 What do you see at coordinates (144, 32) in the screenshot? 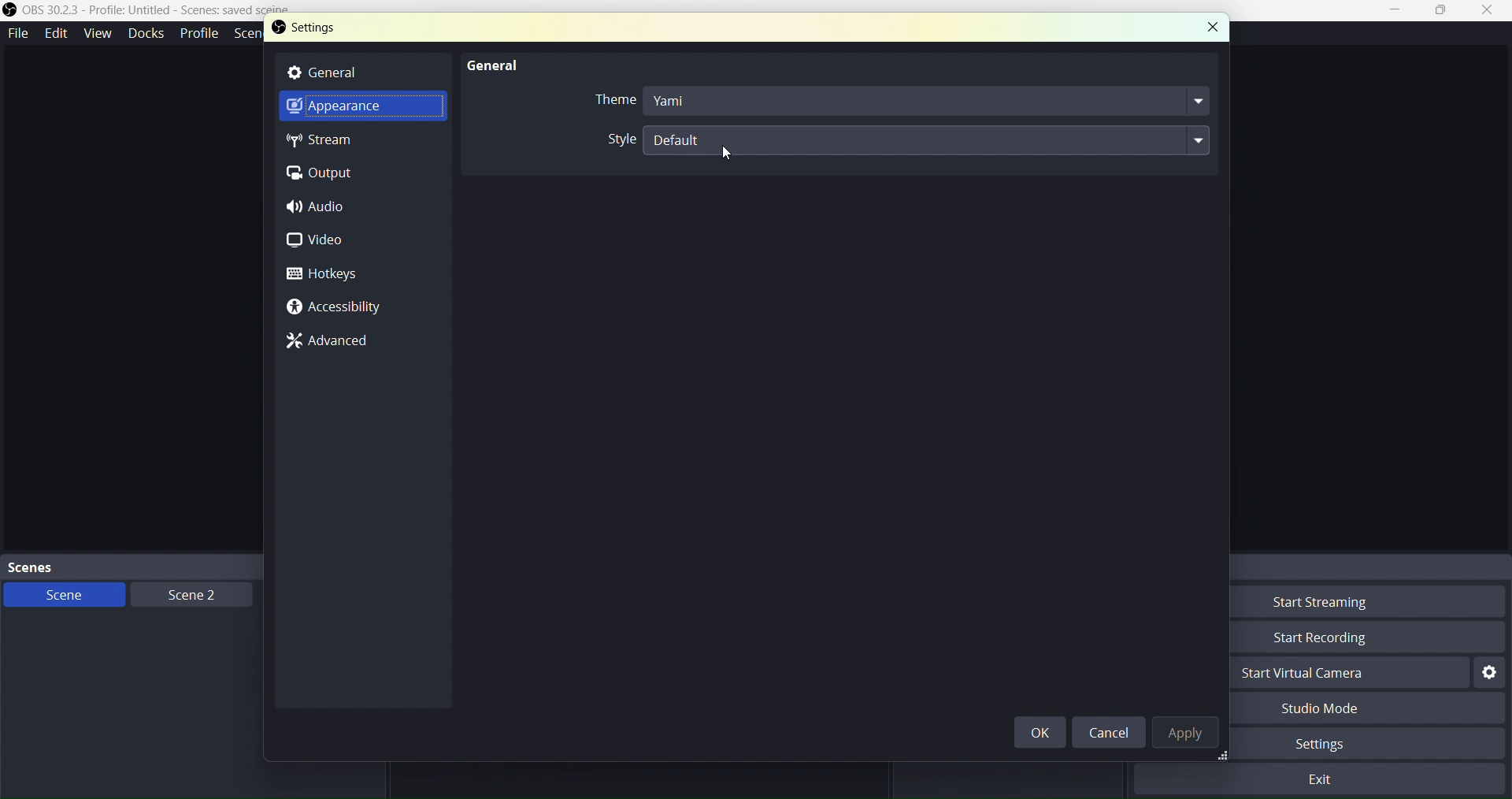
I see `Docks` at bounding box center [144, 32].